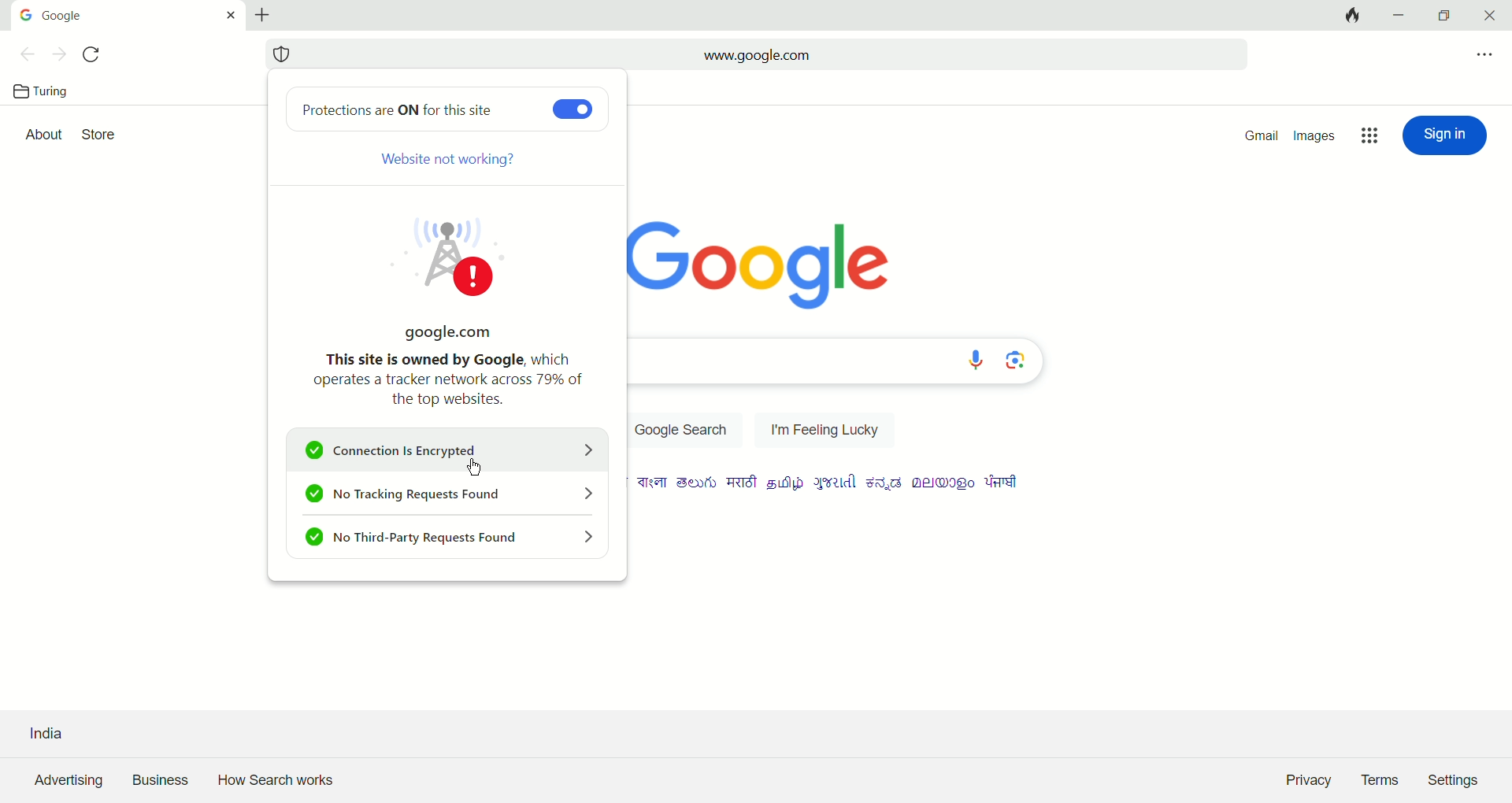 This screenshot has height=803, width=1512. What do you see at coordinates (442, 364) in the screenshot?
I see `google.com
This site is owned by Google, which
operates a tracker network across 79% of
the top websites.` at bounding box center [442, 364].